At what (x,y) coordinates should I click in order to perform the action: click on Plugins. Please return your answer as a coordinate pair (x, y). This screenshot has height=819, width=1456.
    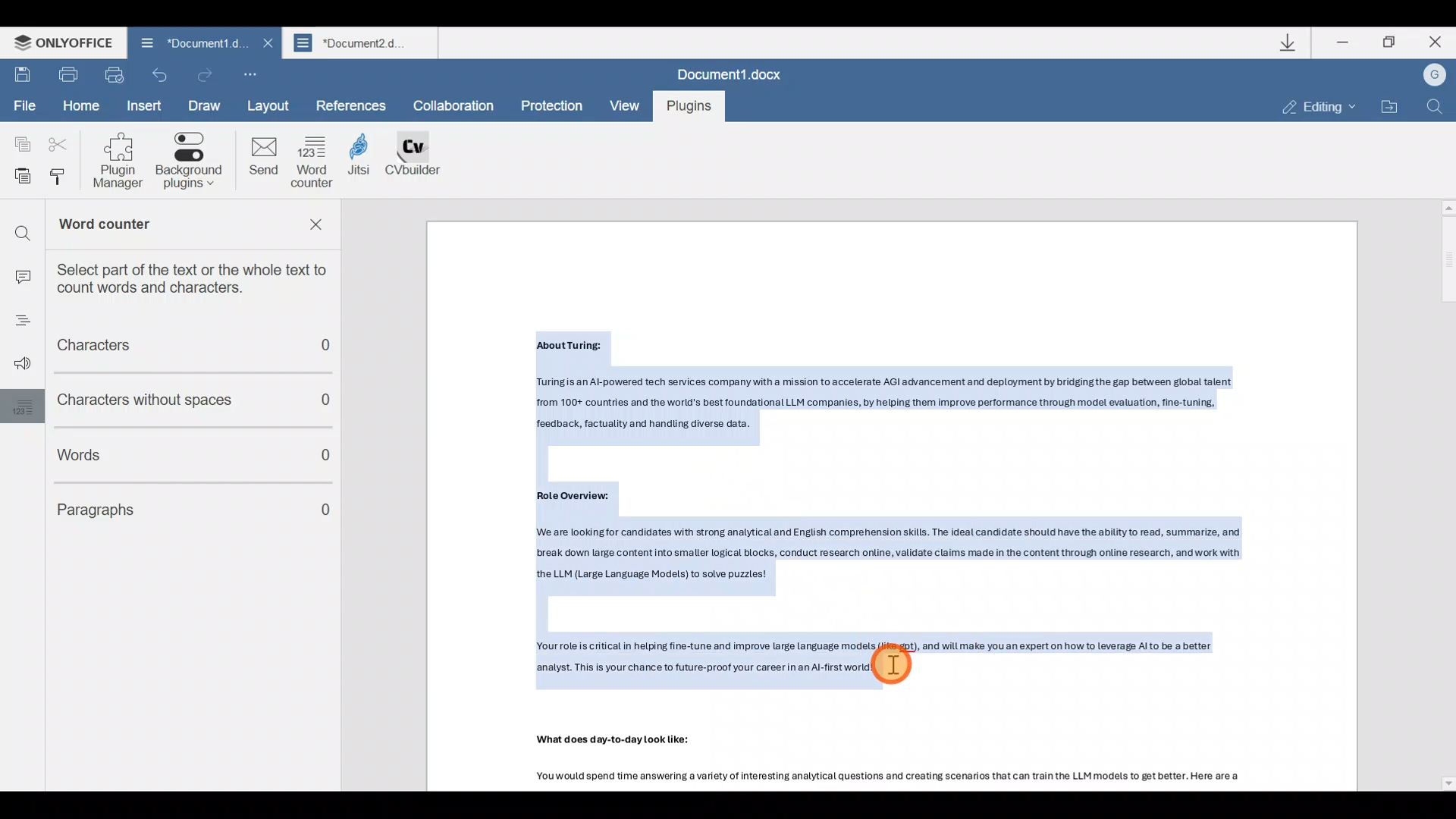
    Looking at the image, I should click on (687, 107).